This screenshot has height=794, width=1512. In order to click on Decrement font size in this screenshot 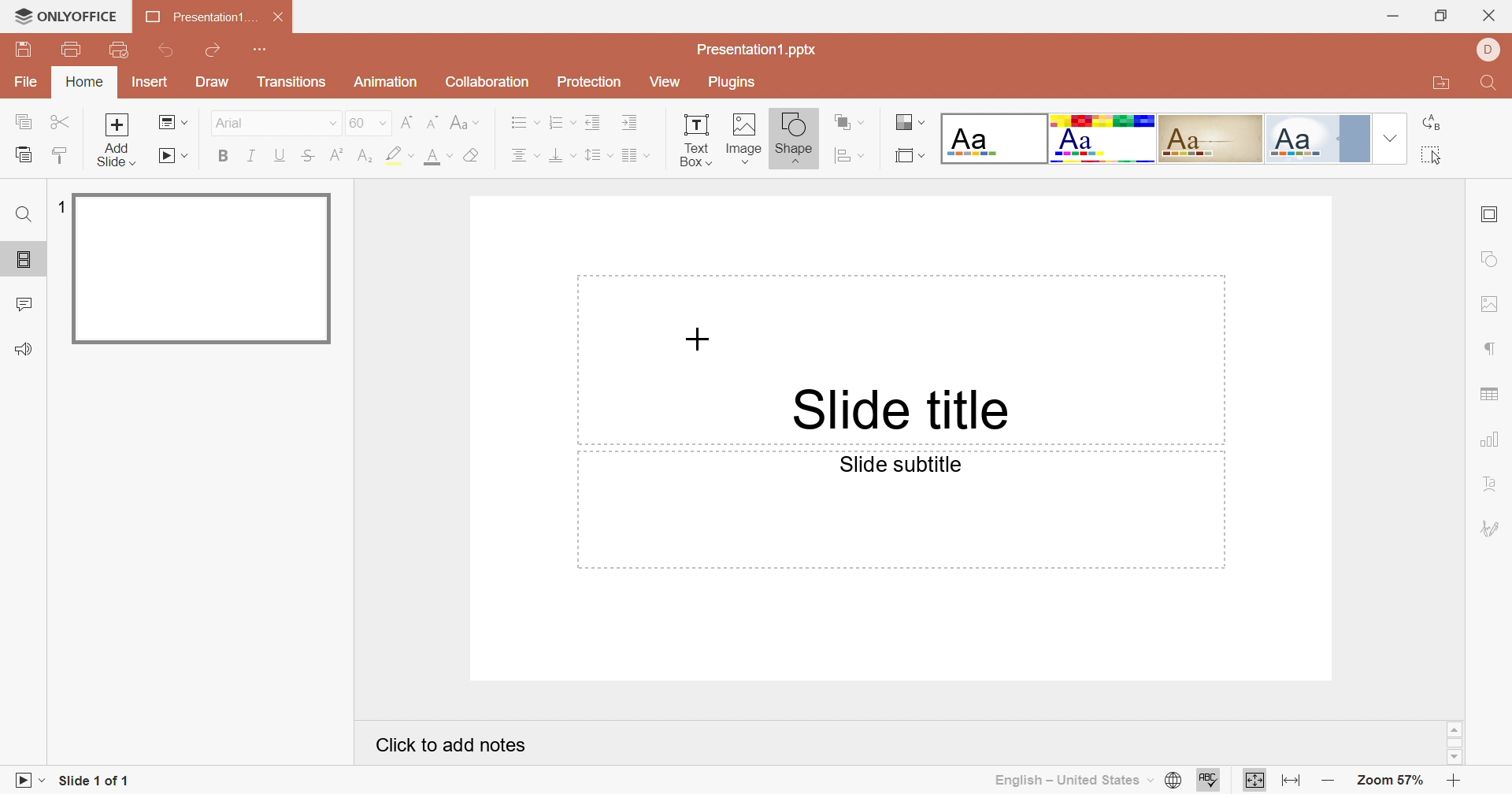, I will do `click(434, 122)`.